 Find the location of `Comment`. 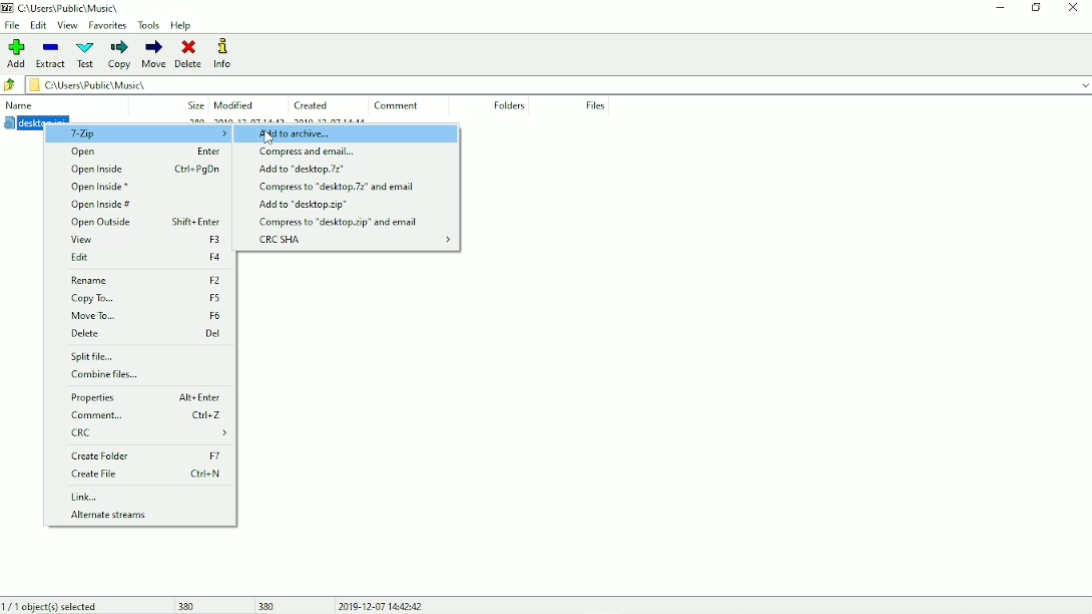

Comment is located at coordinates (145, 416).